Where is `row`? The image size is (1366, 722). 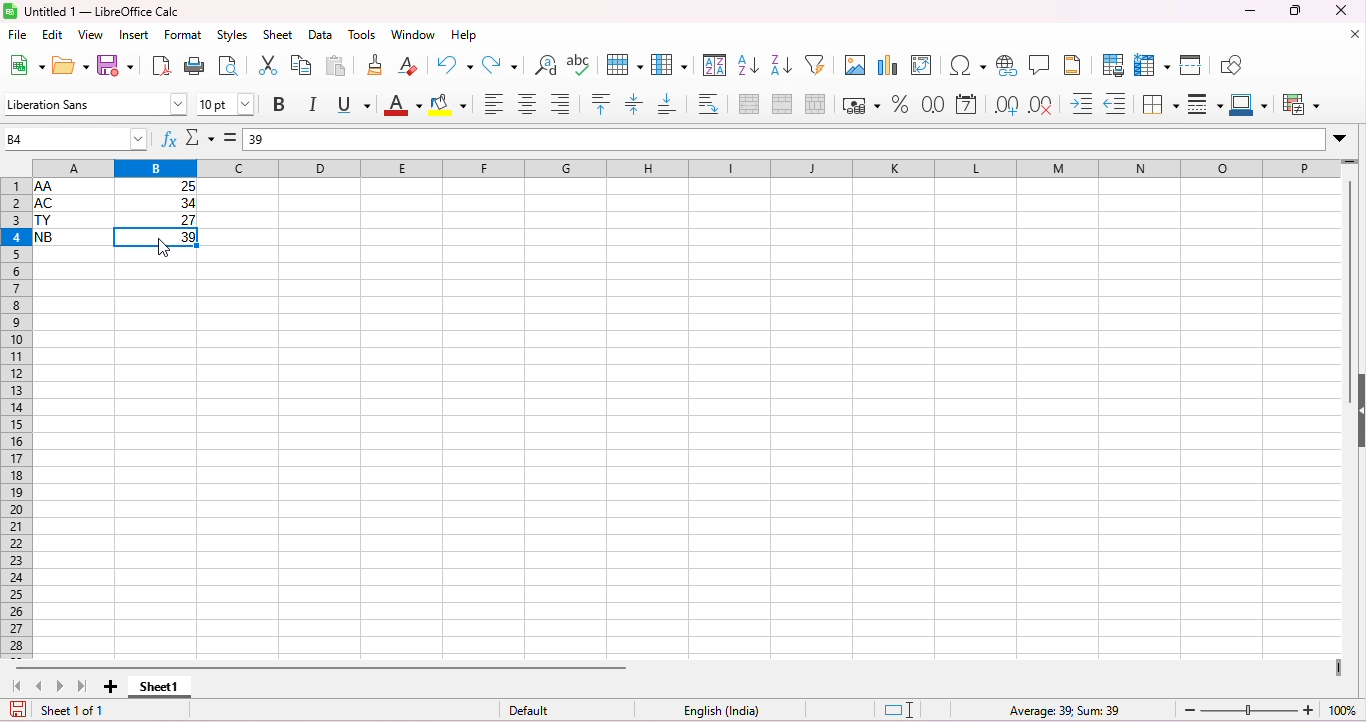 row is located at coordinates (626, 64).